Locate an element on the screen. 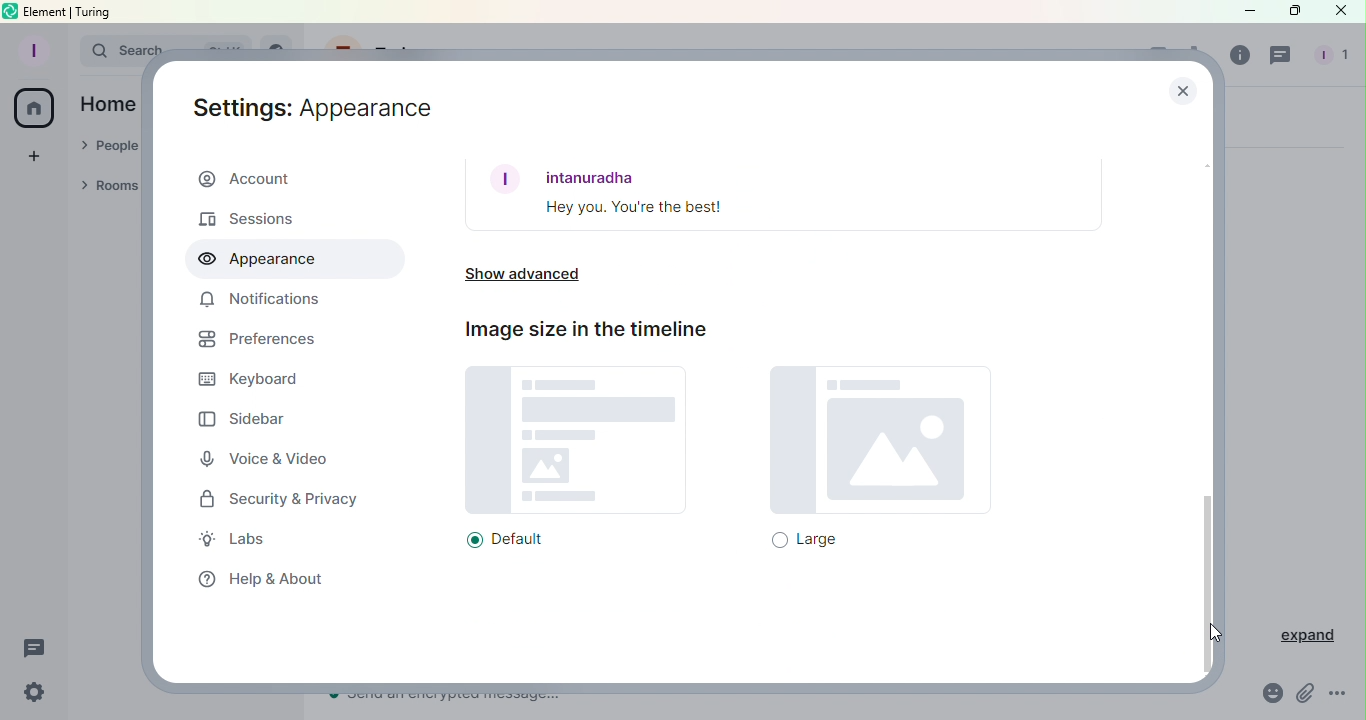 This screenshot has width=1366, height=720. More Options is located at coordinates (1340, 697).